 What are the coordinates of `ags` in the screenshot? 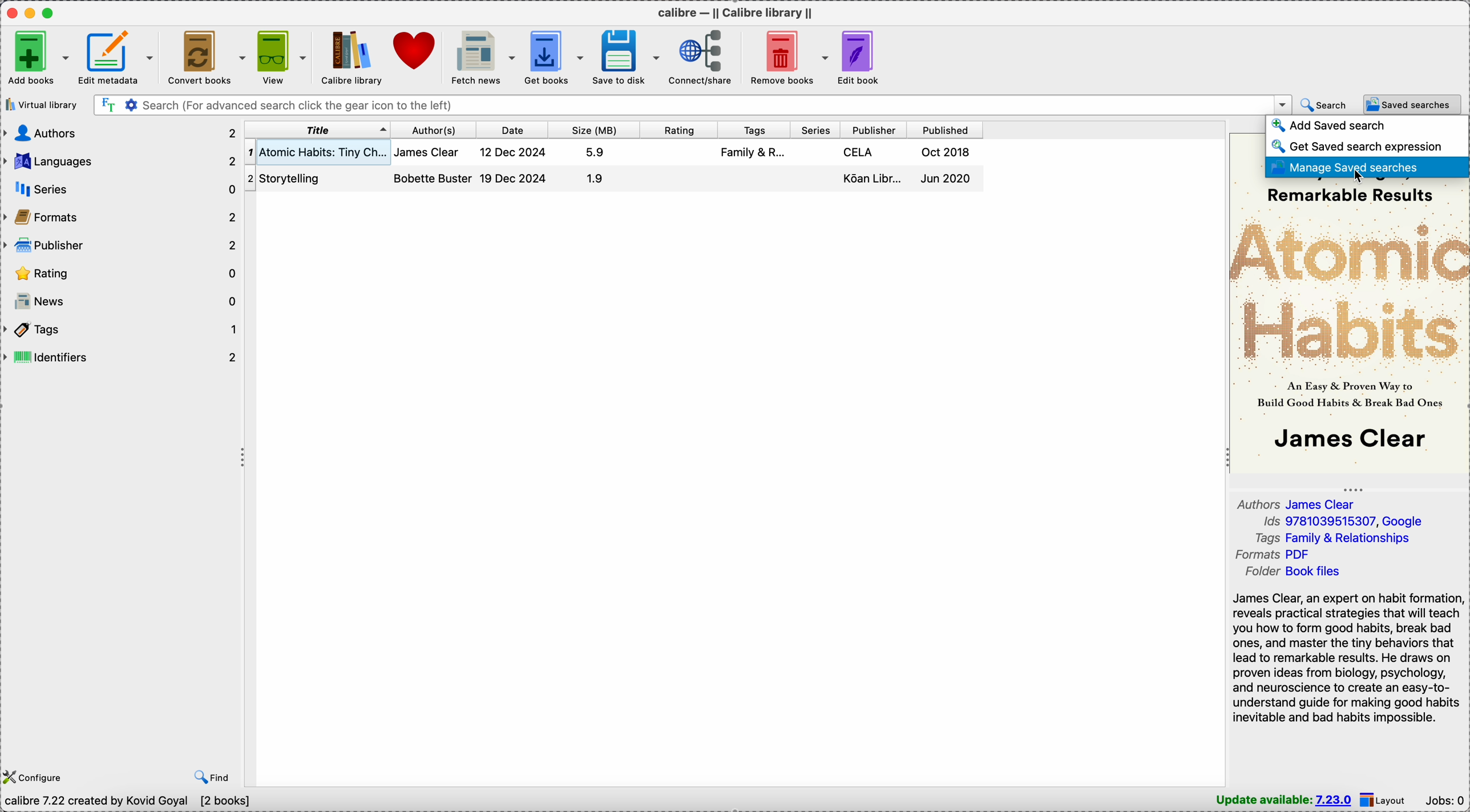 It's located at (753, 154).